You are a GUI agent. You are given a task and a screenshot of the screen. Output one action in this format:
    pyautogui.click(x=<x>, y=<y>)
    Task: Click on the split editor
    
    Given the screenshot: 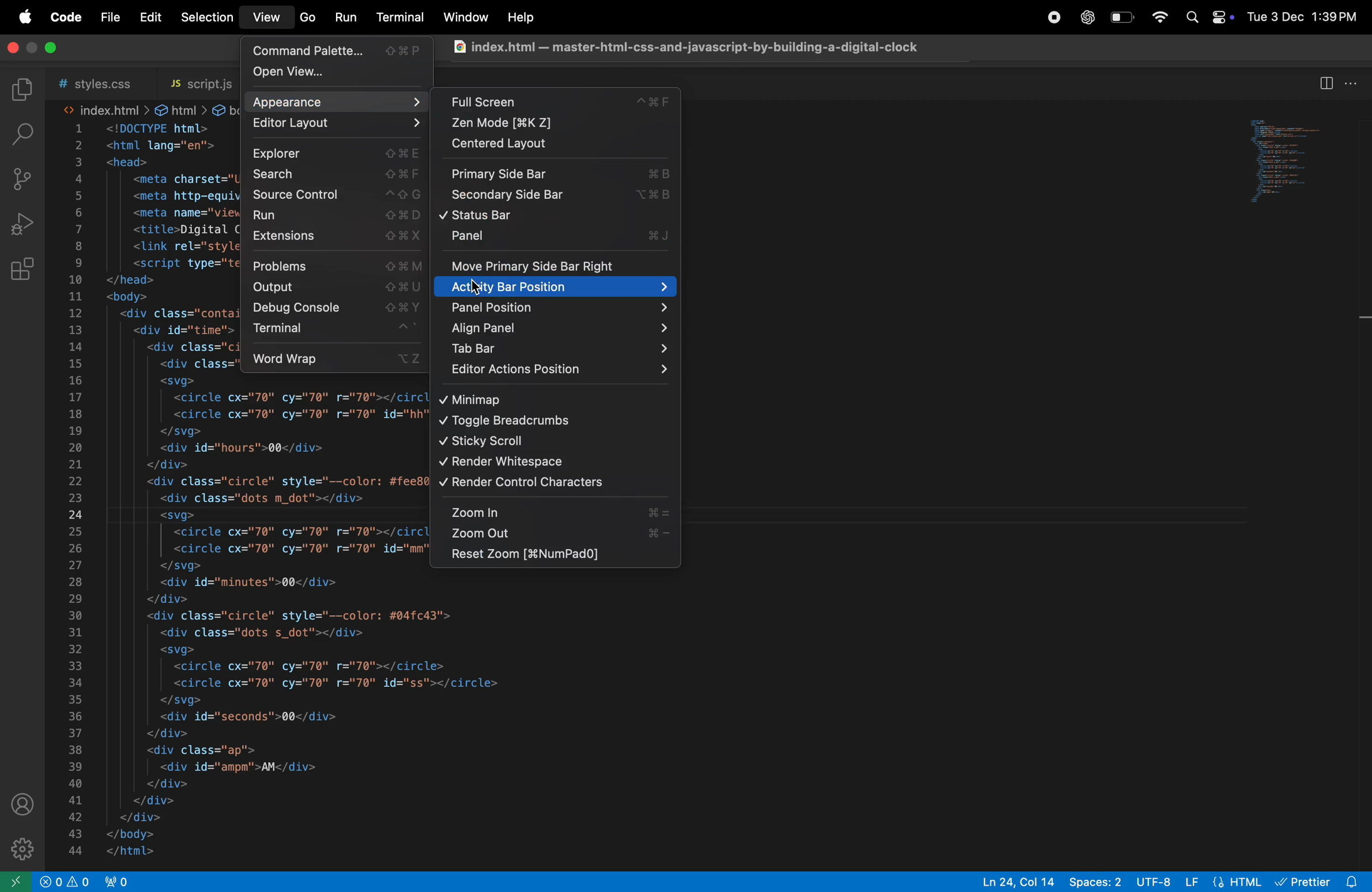 What is the action you would take?
    pyautogui.click(x=1325, y=83)
    